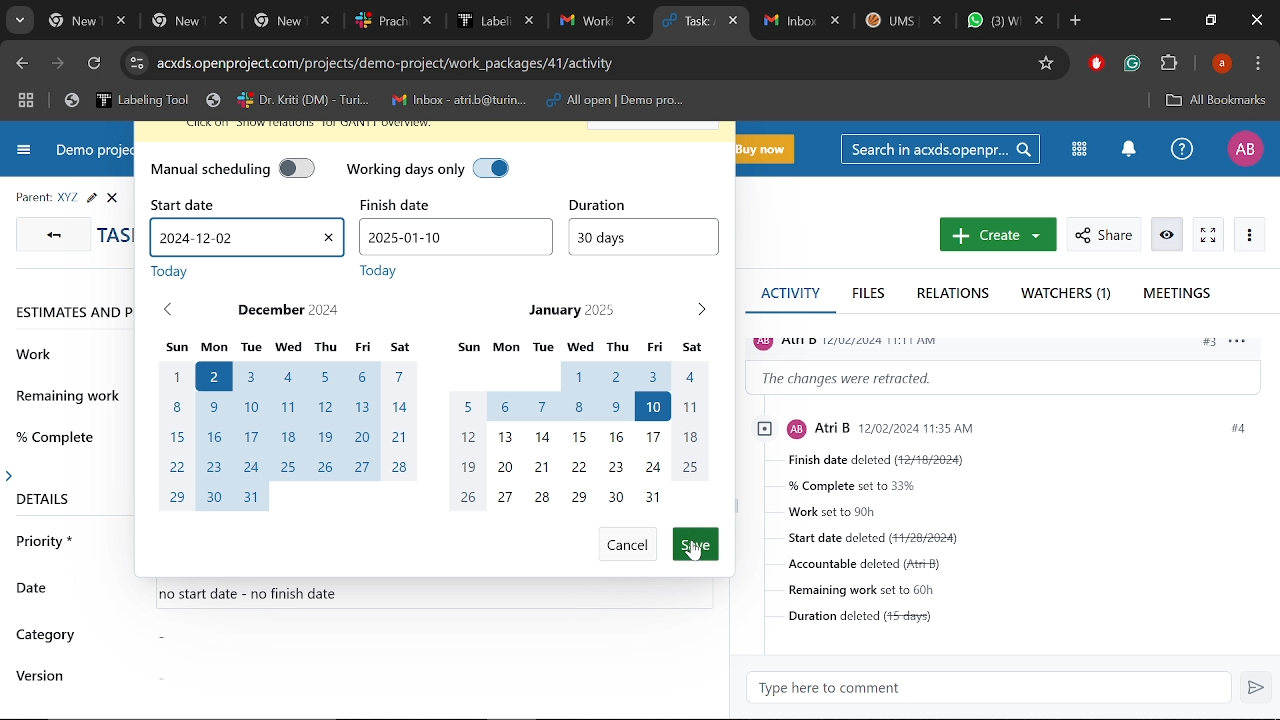 Image resolution: width=1280 pixels, height=720 pixels. I want to click on options, so click(1243, 345).